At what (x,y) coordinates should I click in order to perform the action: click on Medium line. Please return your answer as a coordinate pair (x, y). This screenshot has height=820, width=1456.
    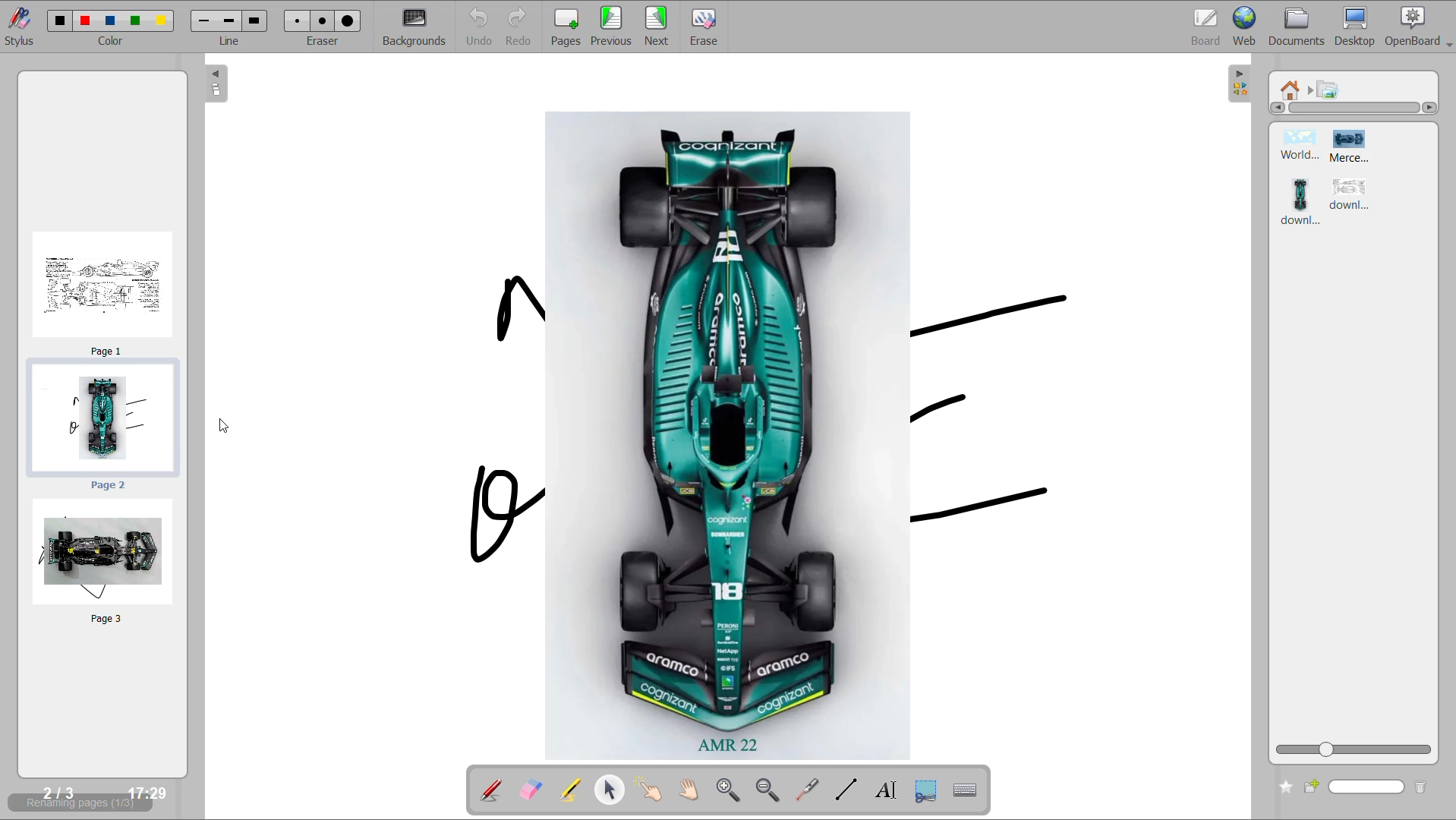
    Looking at the image, I should click on (229, 20).